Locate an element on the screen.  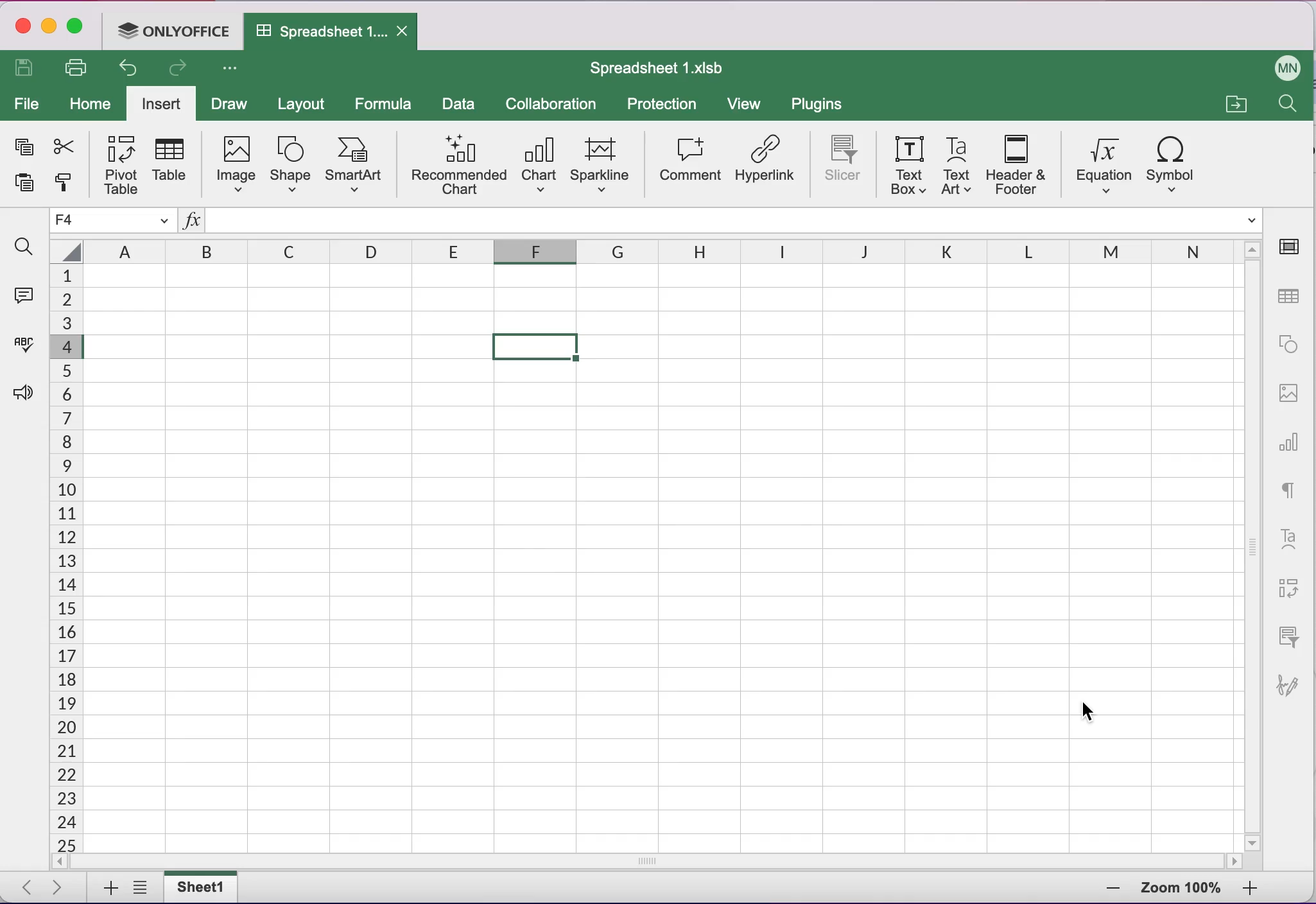
shape is located at coordinates (290, 165).